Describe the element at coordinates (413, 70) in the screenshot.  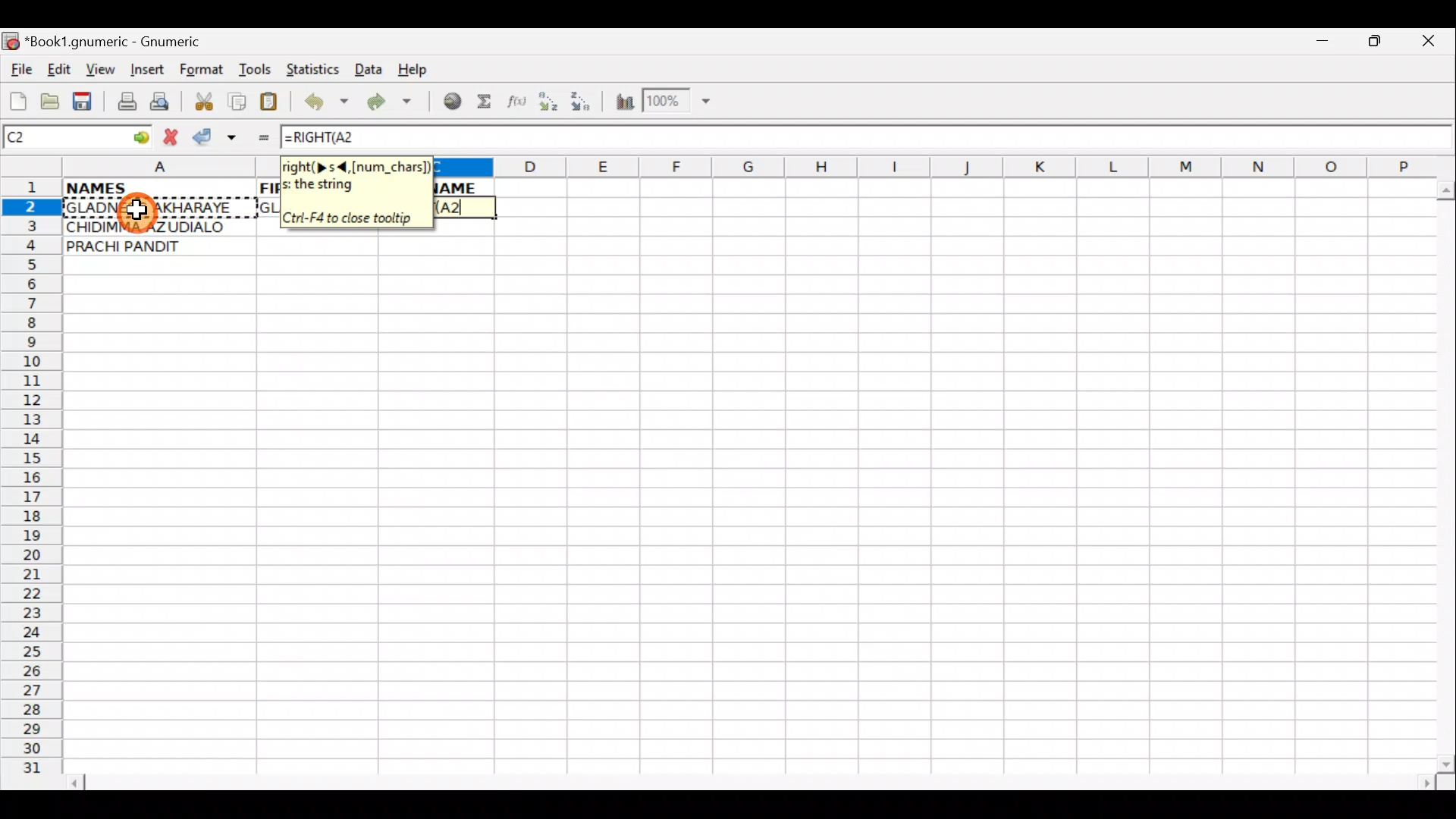
I see `Help` at that location.